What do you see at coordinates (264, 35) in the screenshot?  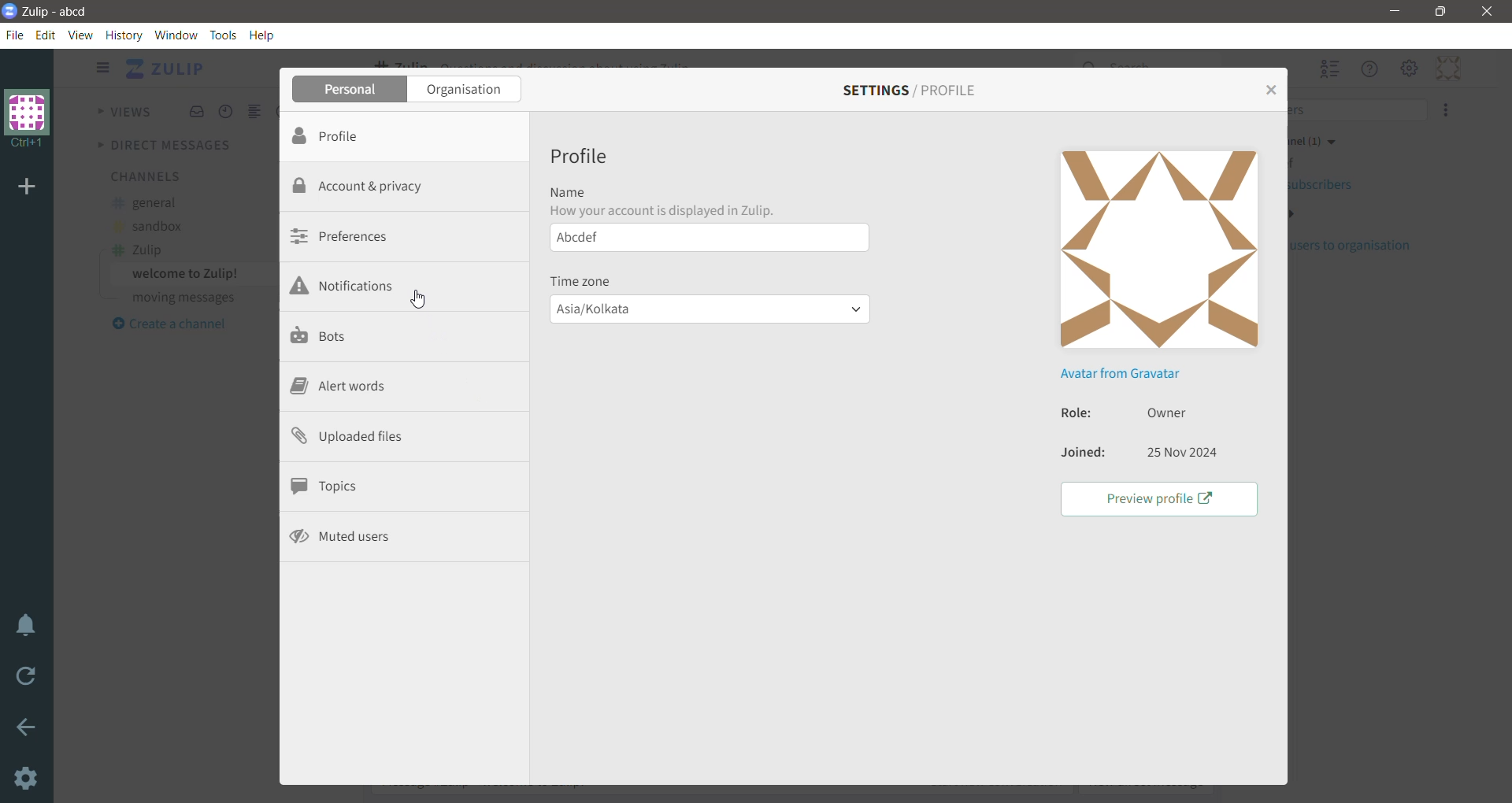 I see `Help` at bounding box center [264, 35].